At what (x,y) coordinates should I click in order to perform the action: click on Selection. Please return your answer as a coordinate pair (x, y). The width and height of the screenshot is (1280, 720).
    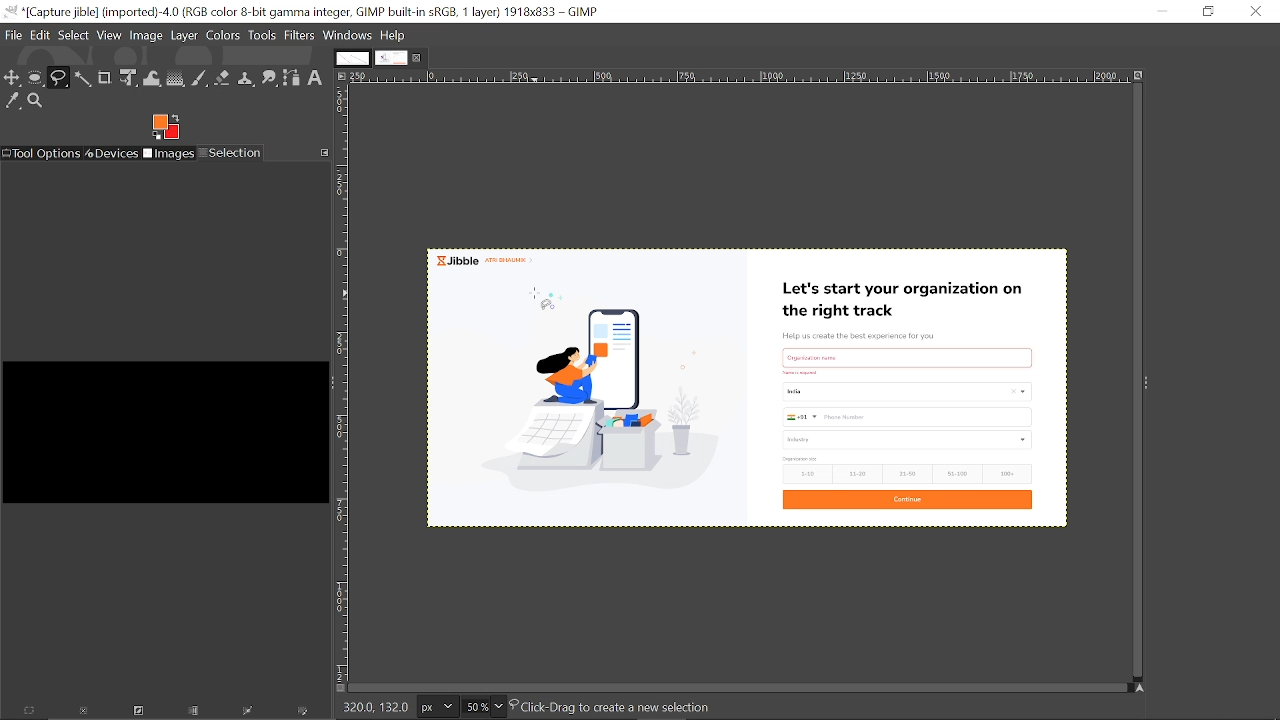
    Looking at the image, I should click on (231, 153).